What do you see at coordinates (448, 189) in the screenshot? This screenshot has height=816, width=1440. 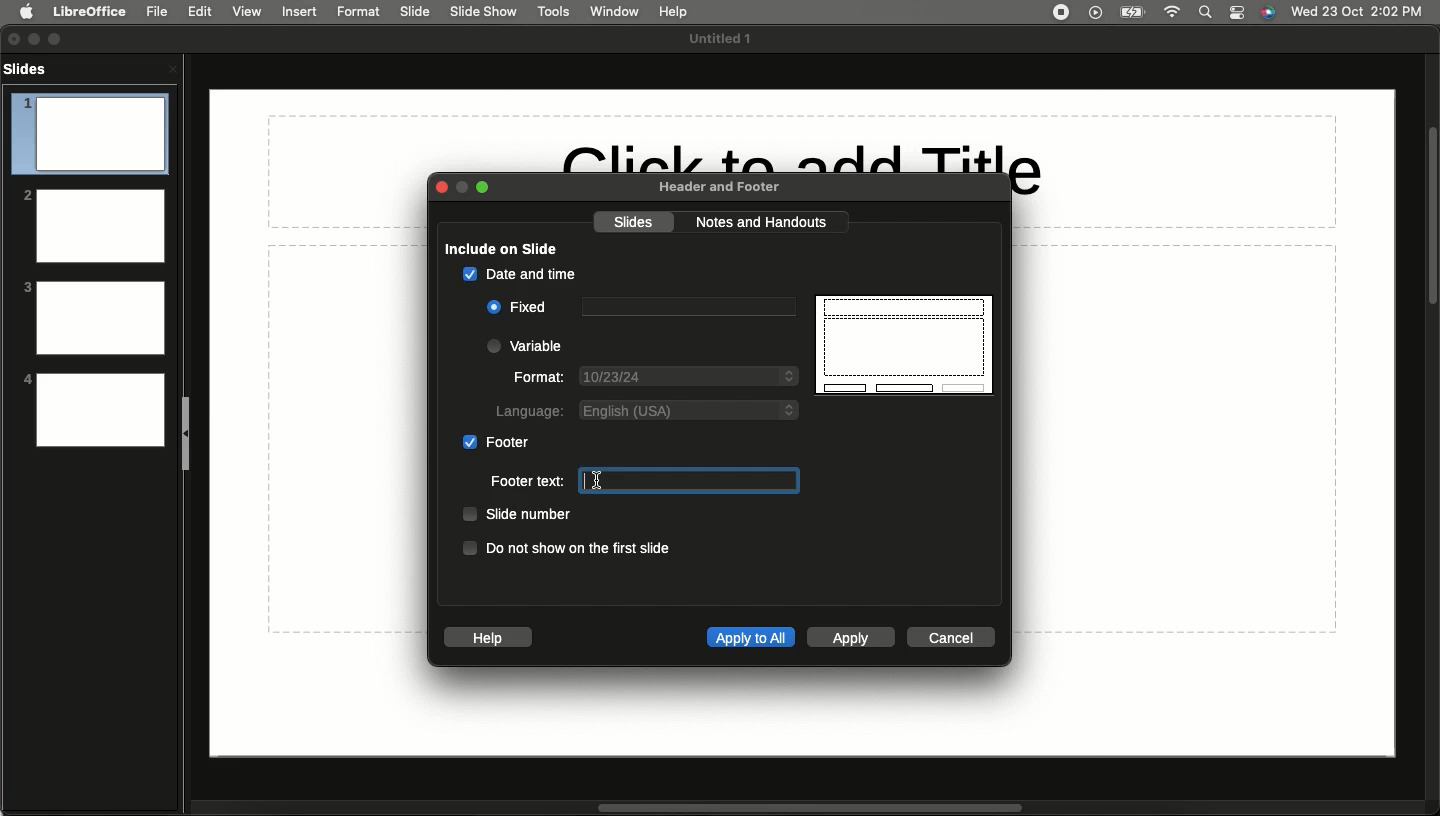 I see `Close` at bounding box center [448, 189].